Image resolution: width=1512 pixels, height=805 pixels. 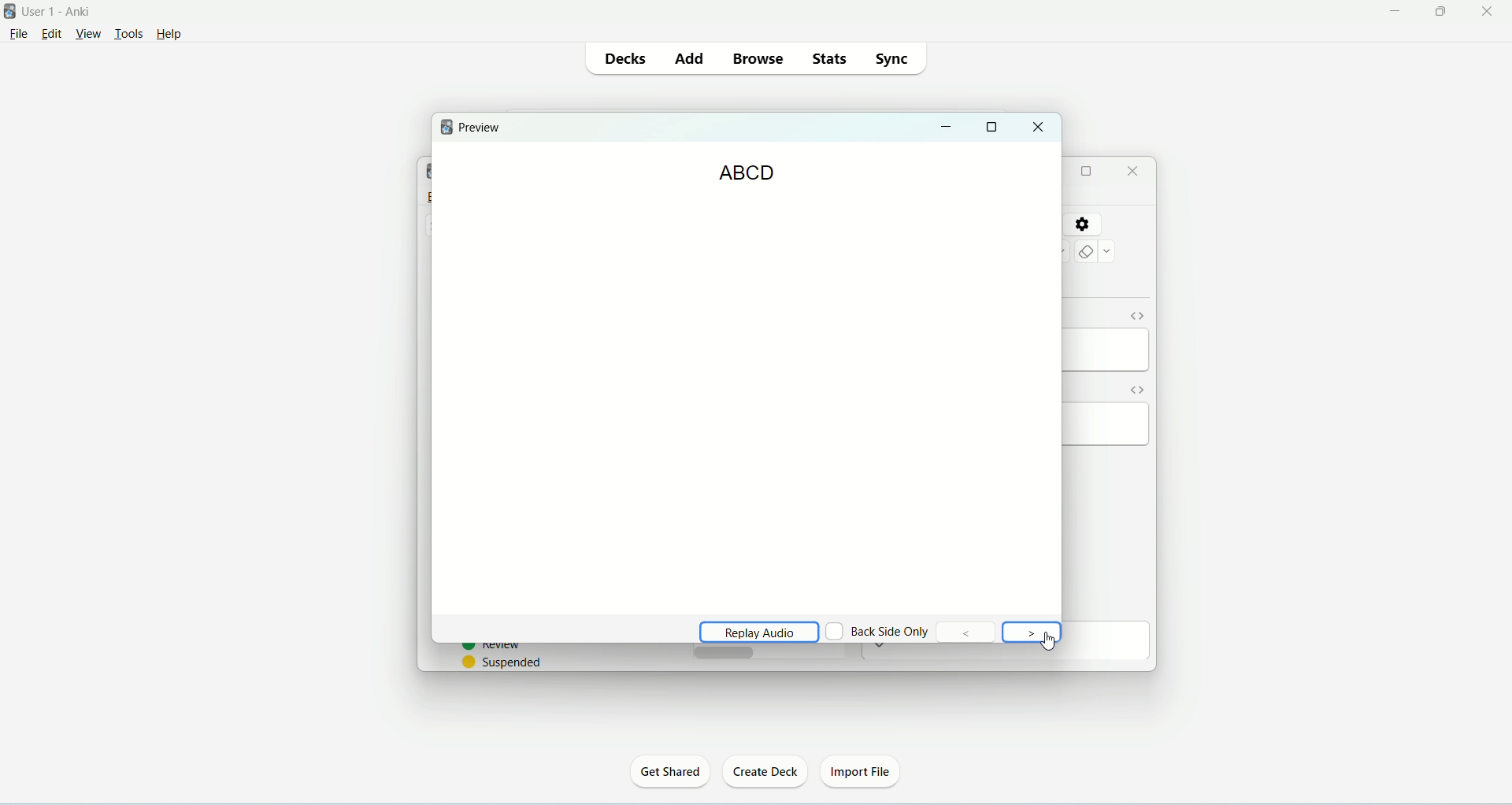 What do you see at coordinates (1086, 172) in the screenshot?
I see `maximize` at bounding box center [1086, 172].